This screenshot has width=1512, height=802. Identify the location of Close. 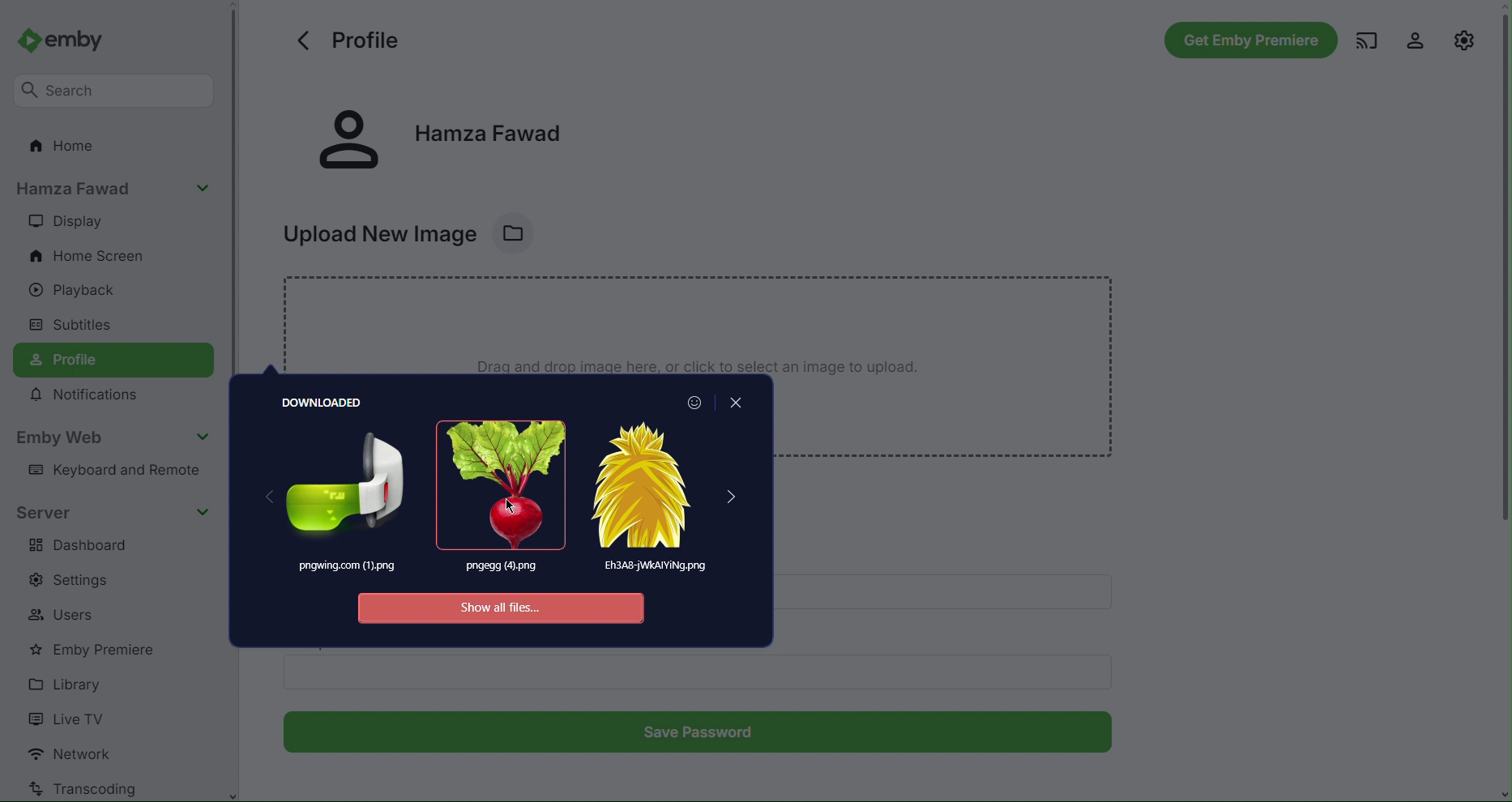
(720, 399).